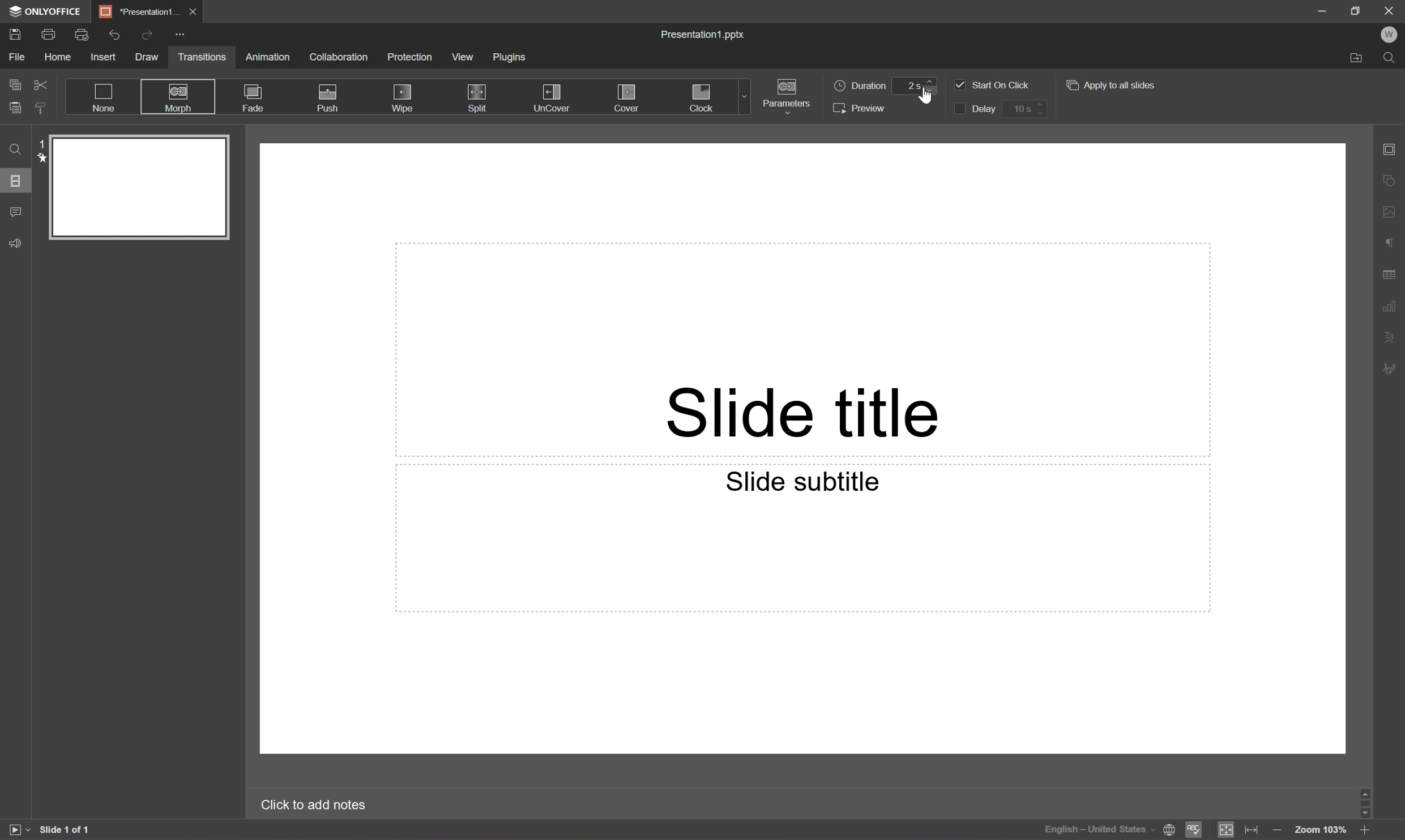  I want to click on Close, so click(1389, 10).